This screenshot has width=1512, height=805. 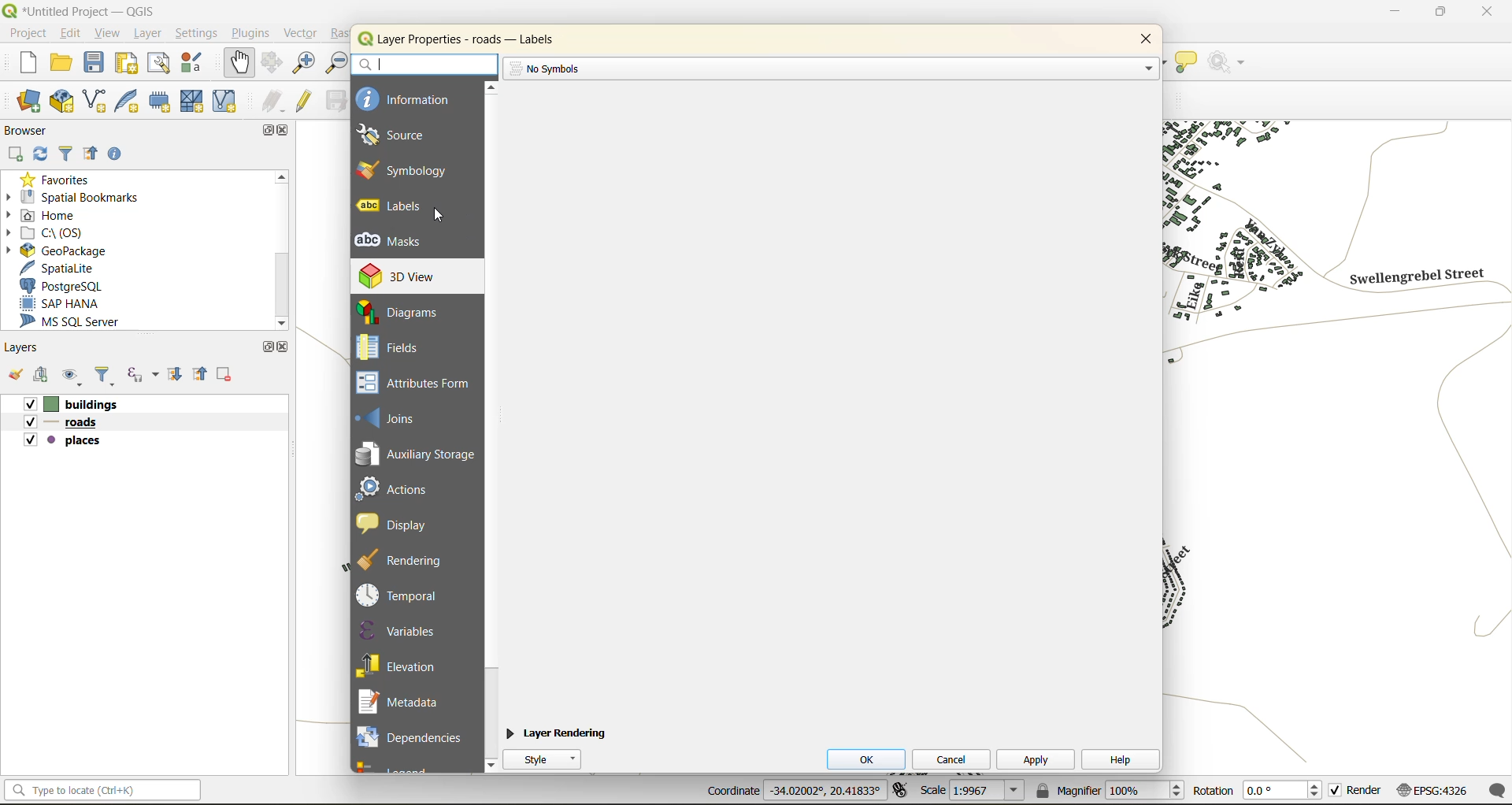 I want to click on new spatialite layer, so click(x=132, y=103).